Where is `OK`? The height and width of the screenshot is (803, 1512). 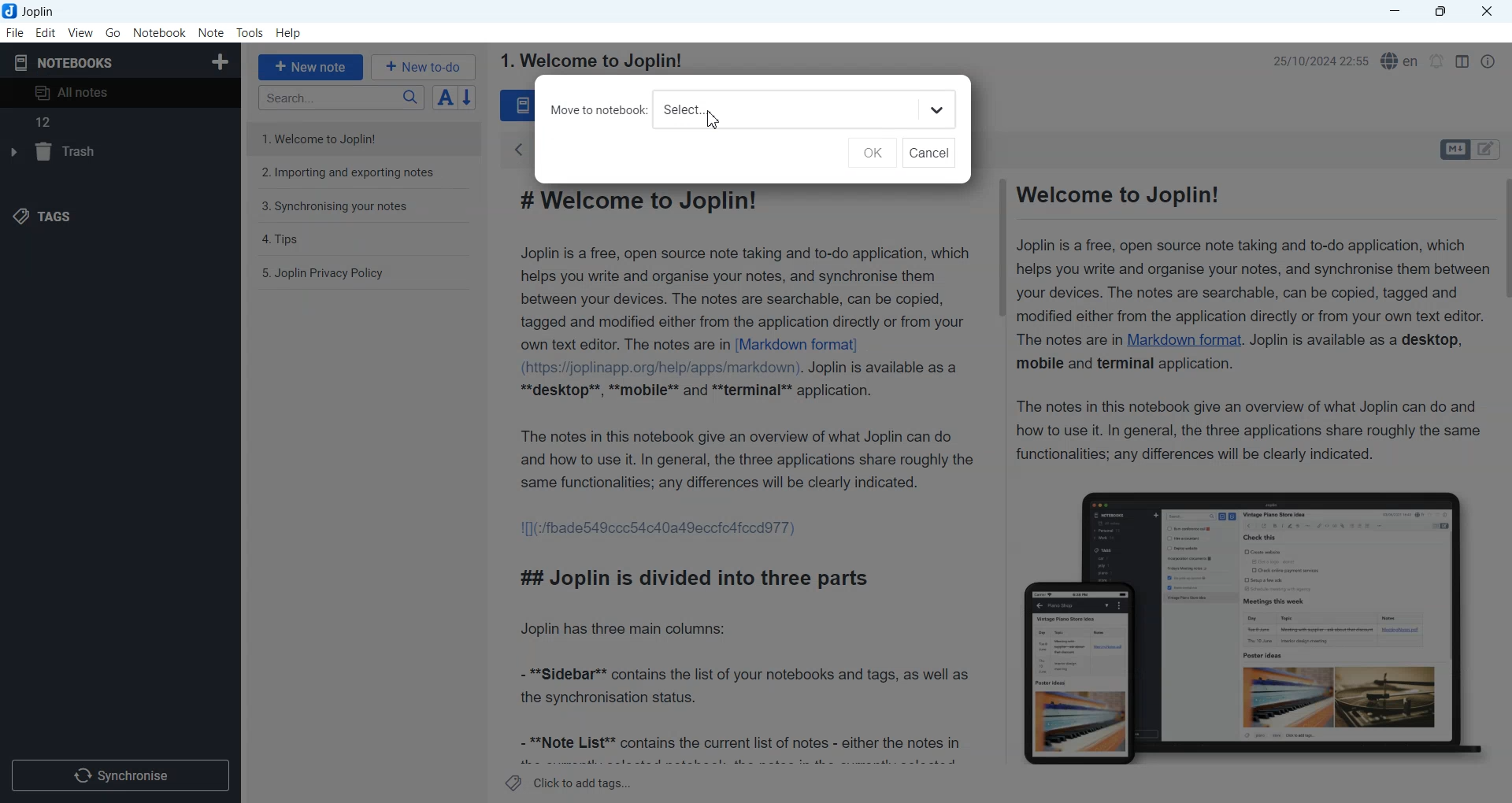
OK is located at coordinates (871, 153).